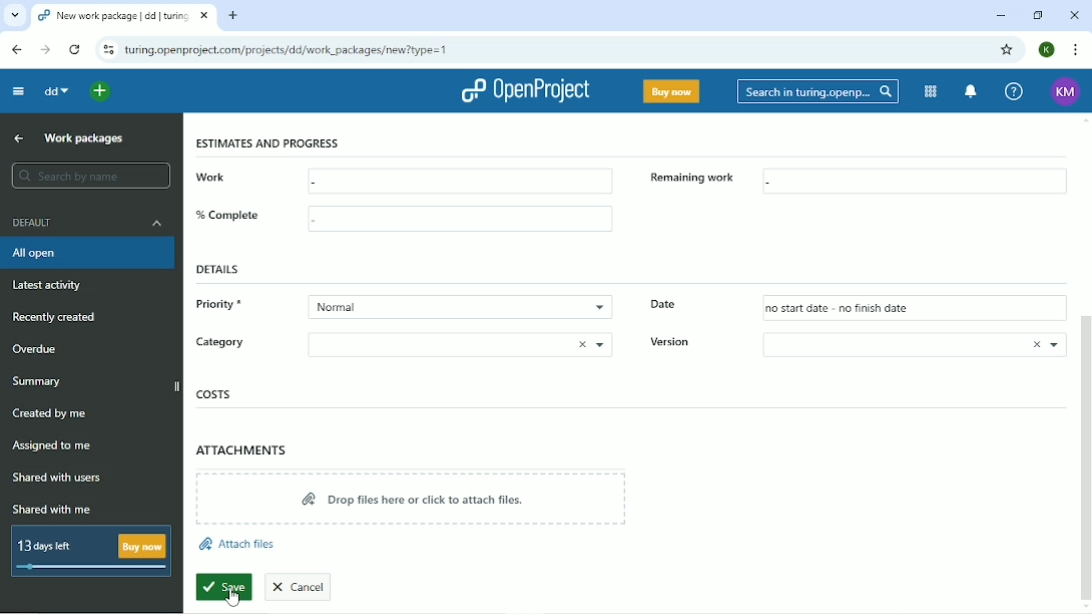 The image size is (1092, 614). I want to click on Version, so click(686, 346).